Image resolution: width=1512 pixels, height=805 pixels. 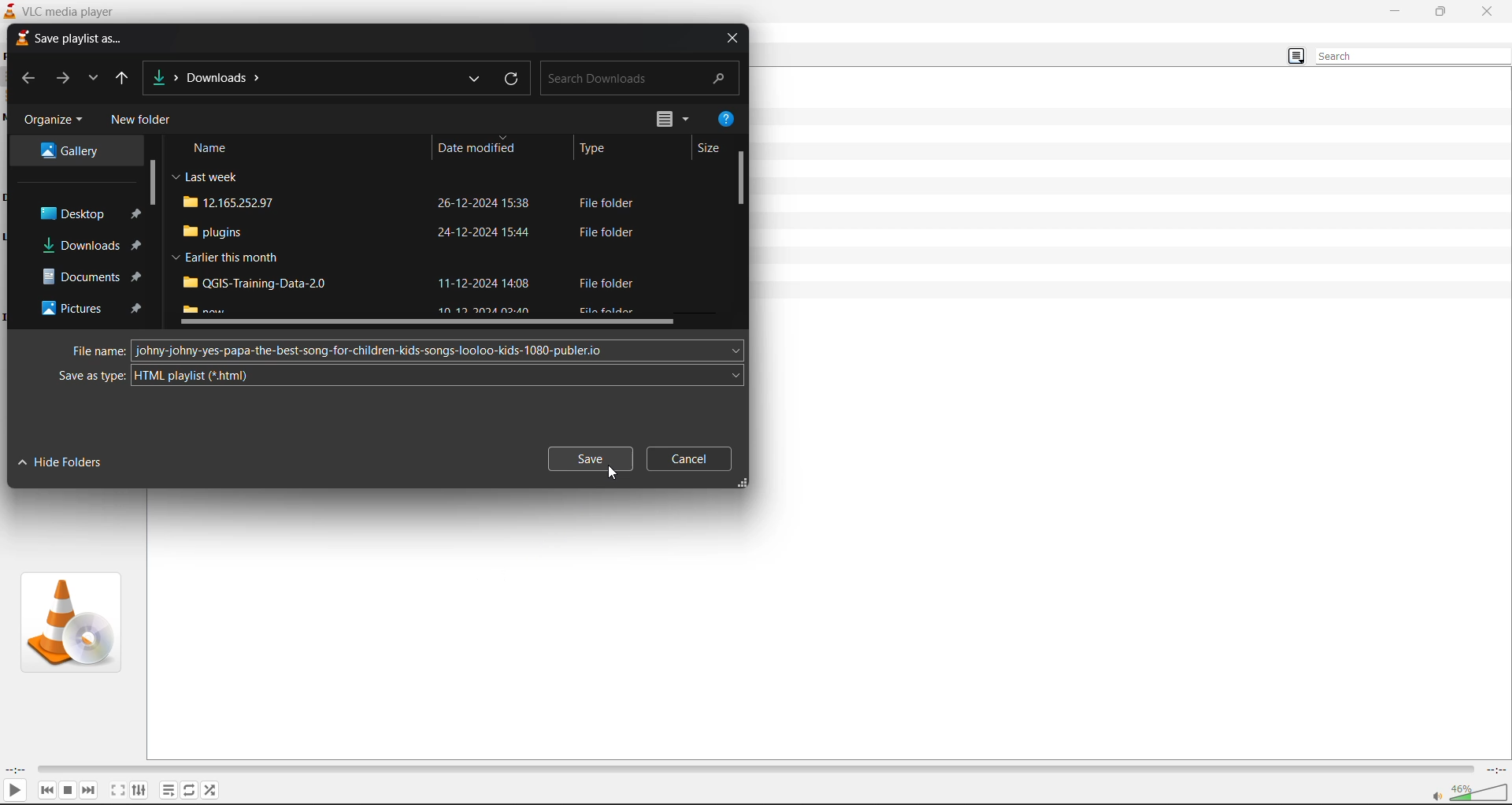 I want to click on current track time, so click(x=14, y=768).